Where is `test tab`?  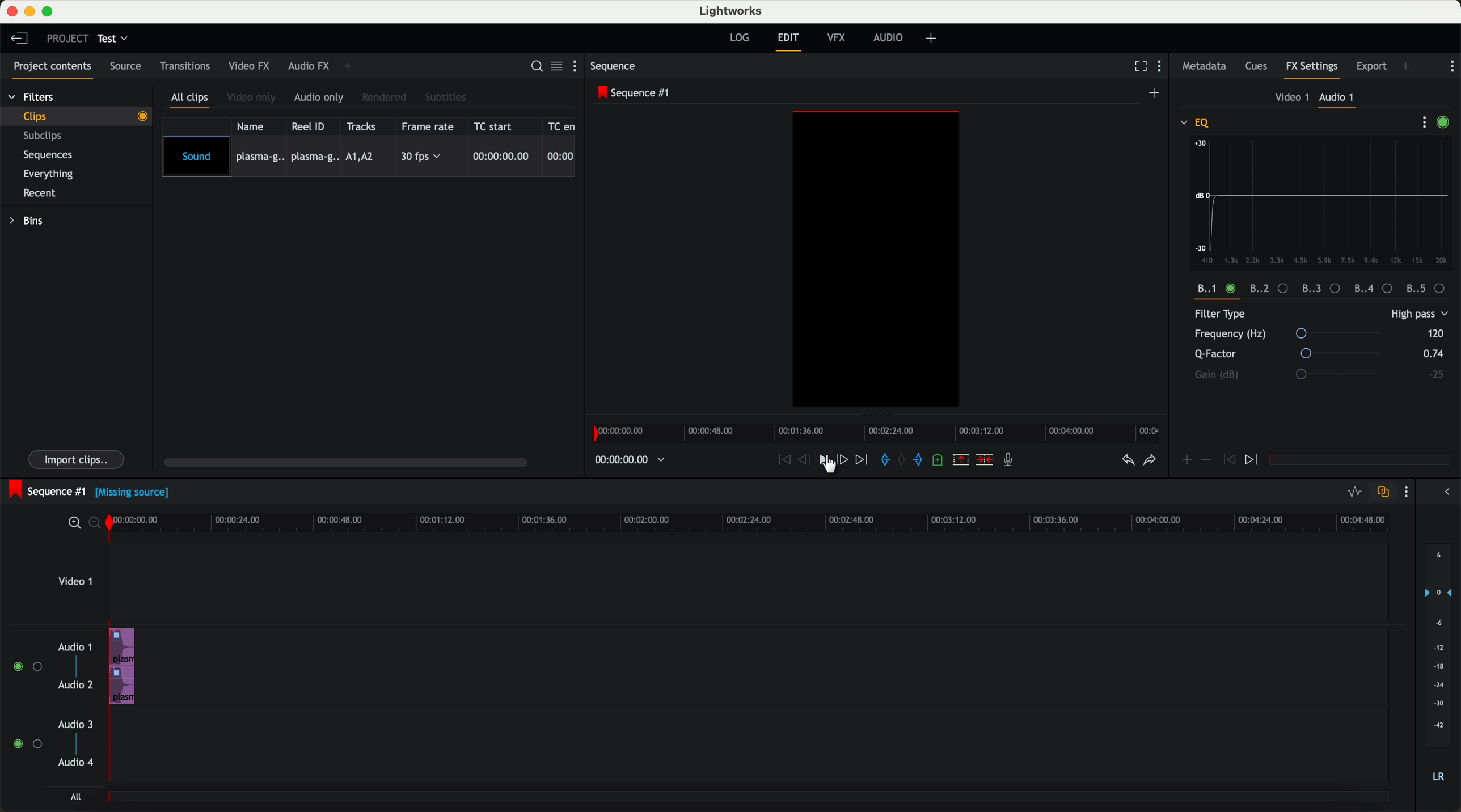 test tab is located at coordinates (114, 36).